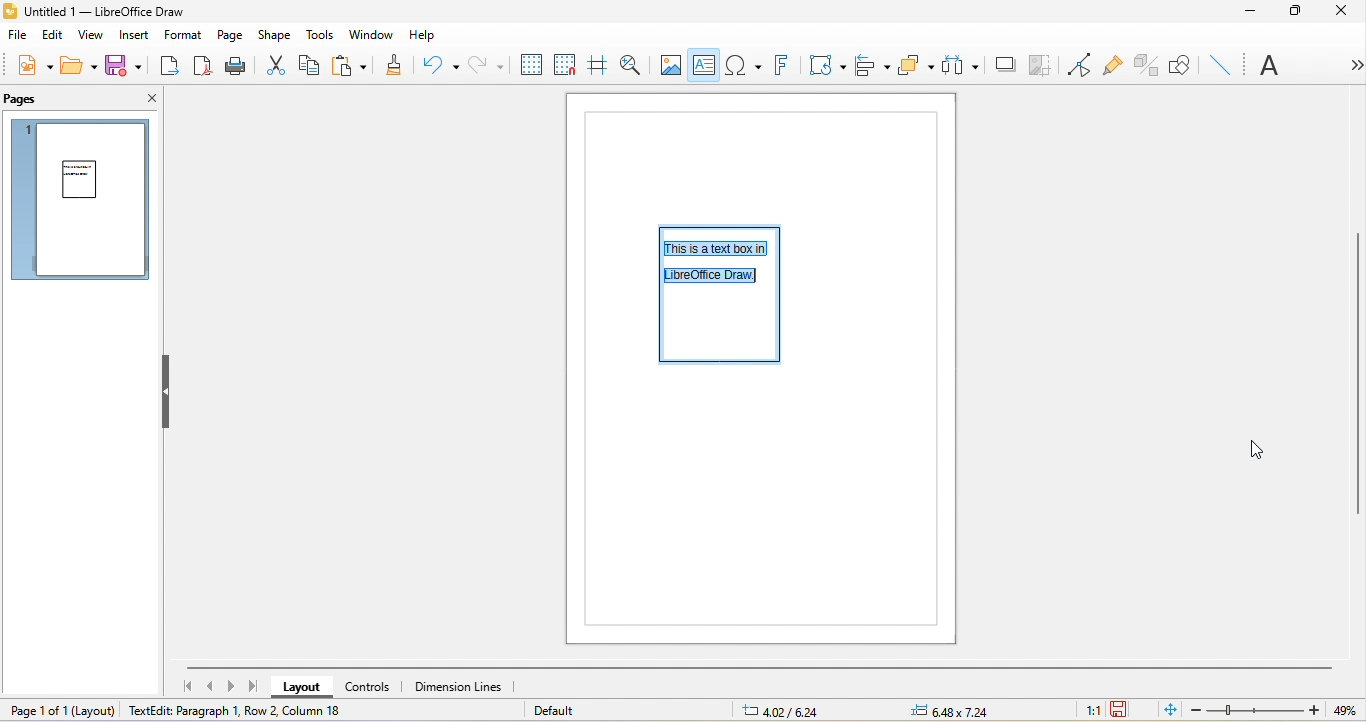 This screenshot has width=1366, height=722. I want to click on previous page, so click(209, 685).